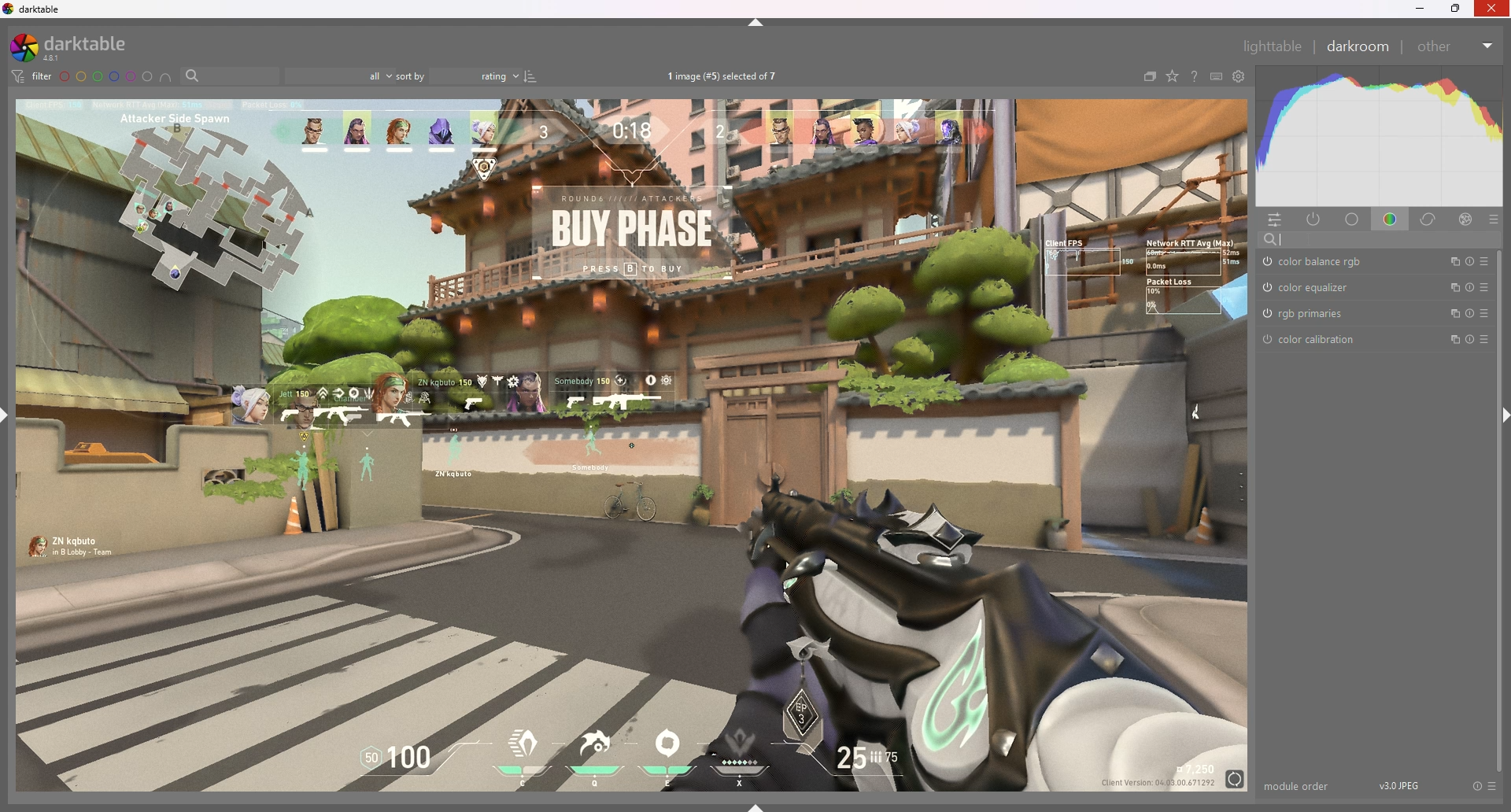 This screenshot has height=812, width=1511. Describe the element at coordinates (1430, 220) in the screenshot. I see `correct` at that location.